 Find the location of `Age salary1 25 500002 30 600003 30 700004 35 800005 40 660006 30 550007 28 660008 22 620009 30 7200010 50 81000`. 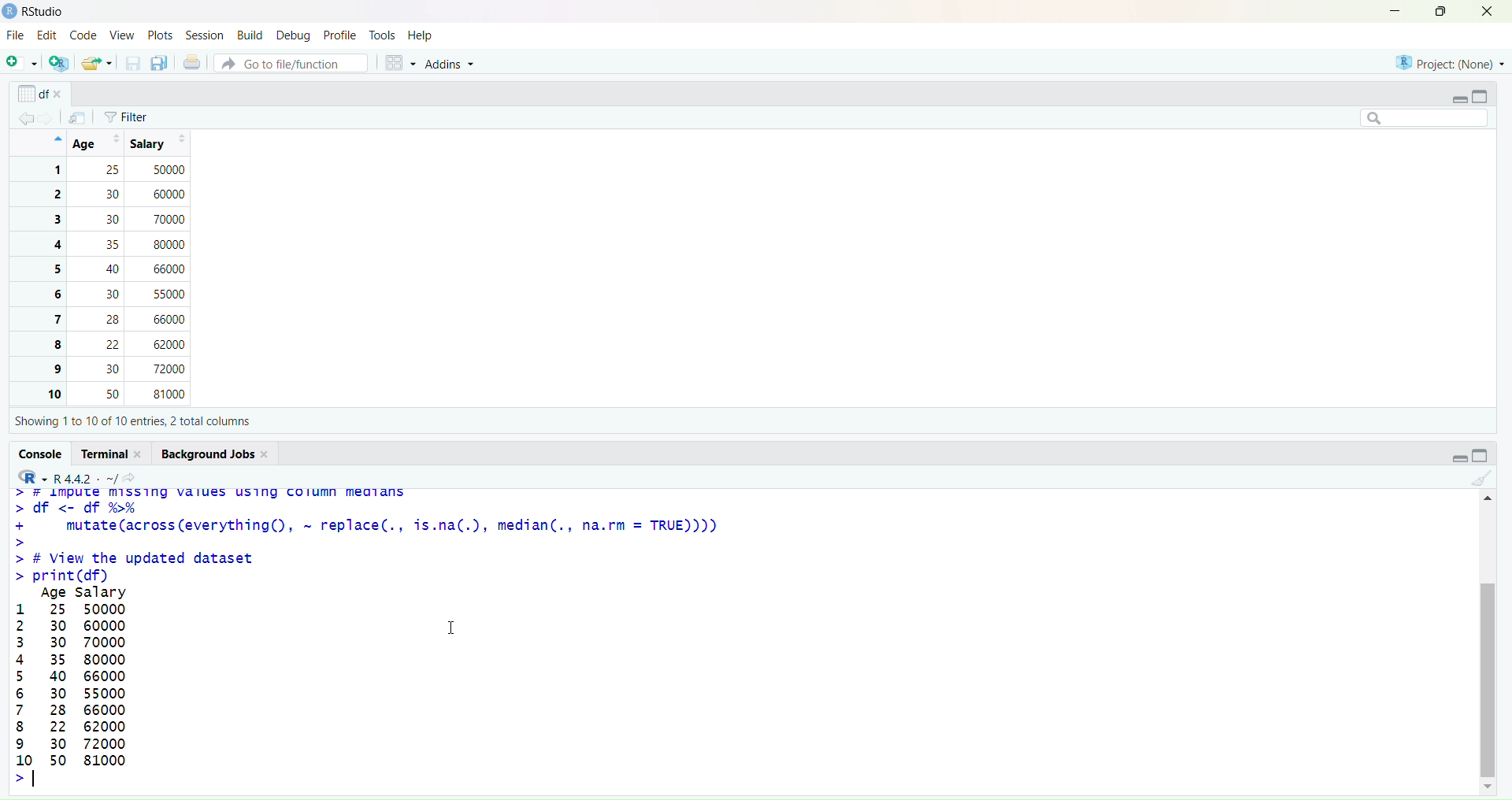

Age salary1 25 500002 30 600003 30 700004 35 800005 40 660006 30 550007 28 660008 22 620009 30 7200010 50 81000 is located at coordinates (69, 687).